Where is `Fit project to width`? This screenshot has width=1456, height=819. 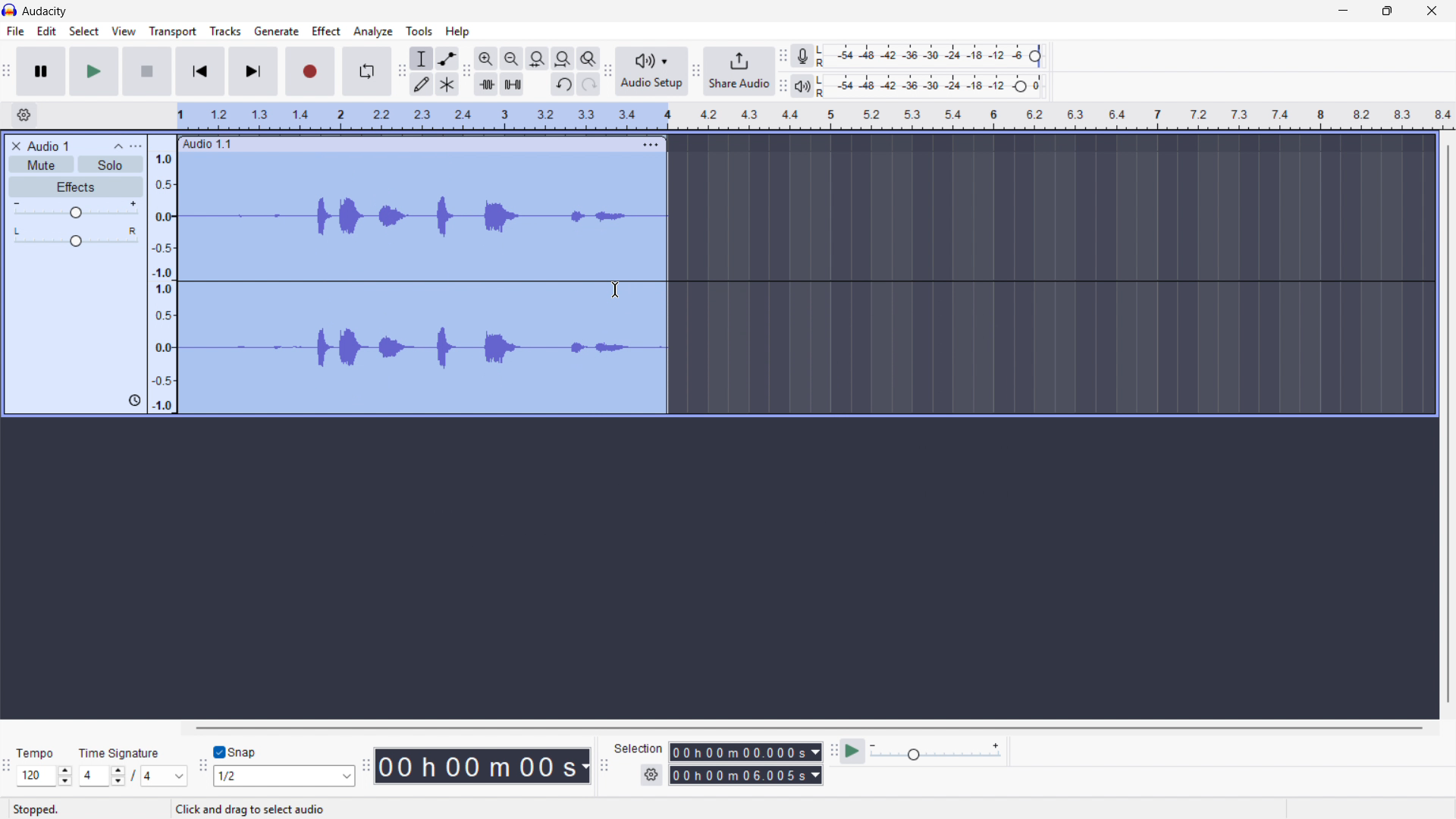 Fit project to width is located at coordinates (563, 58).